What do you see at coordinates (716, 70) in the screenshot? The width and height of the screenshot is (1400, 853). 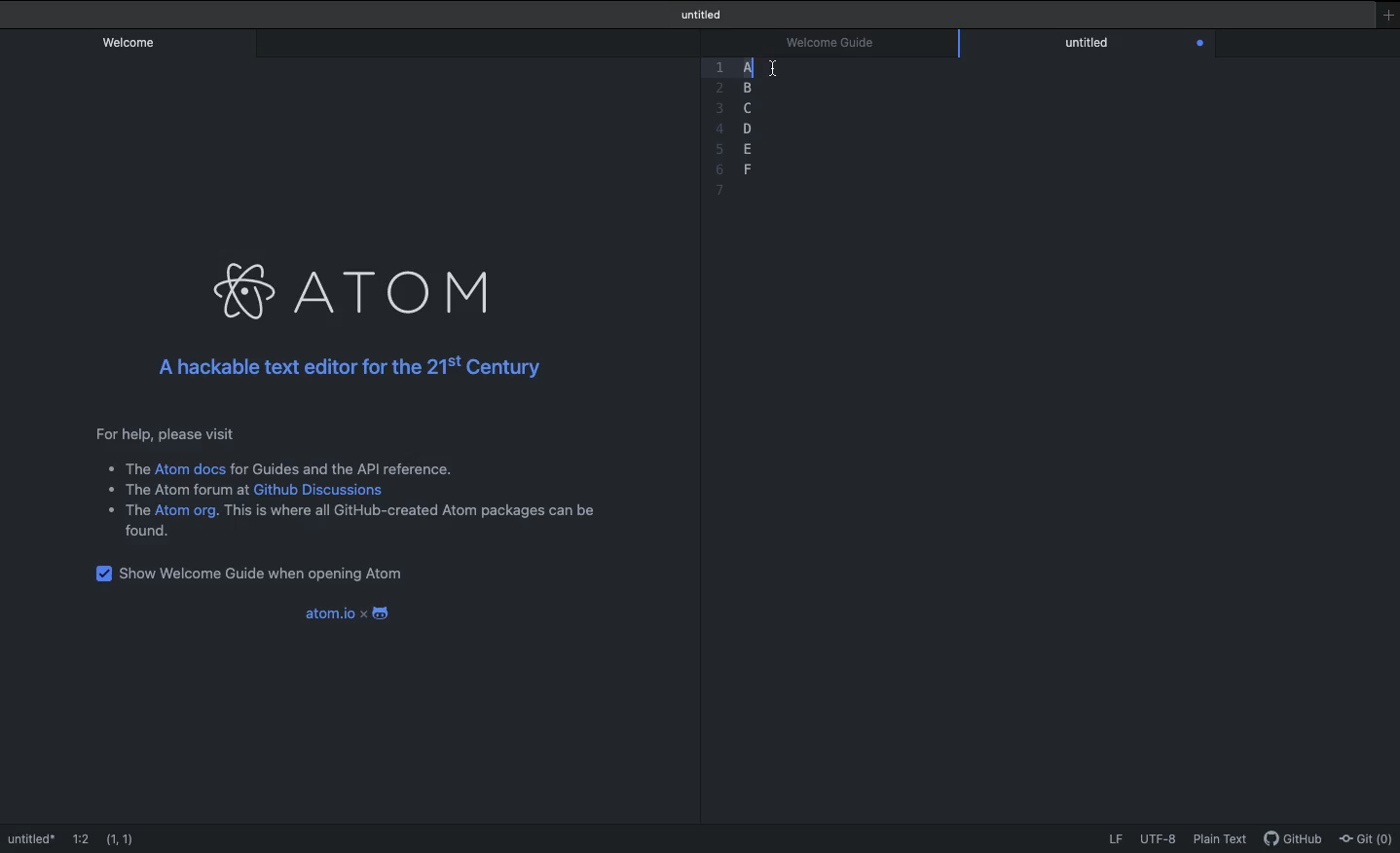 I see `1` at bounding box center [716, 70].